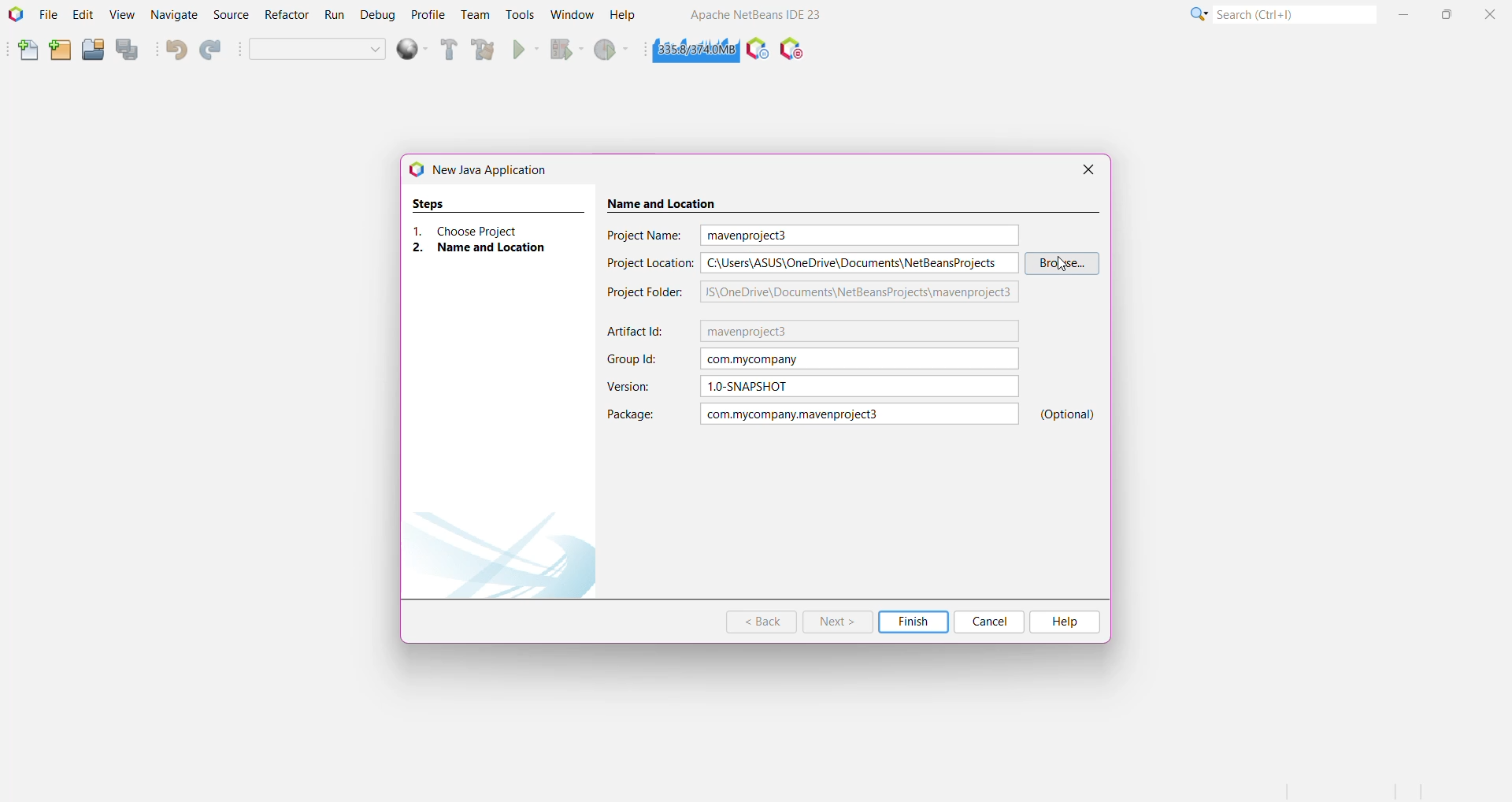  I want to click on Save All, so click(129, 50).